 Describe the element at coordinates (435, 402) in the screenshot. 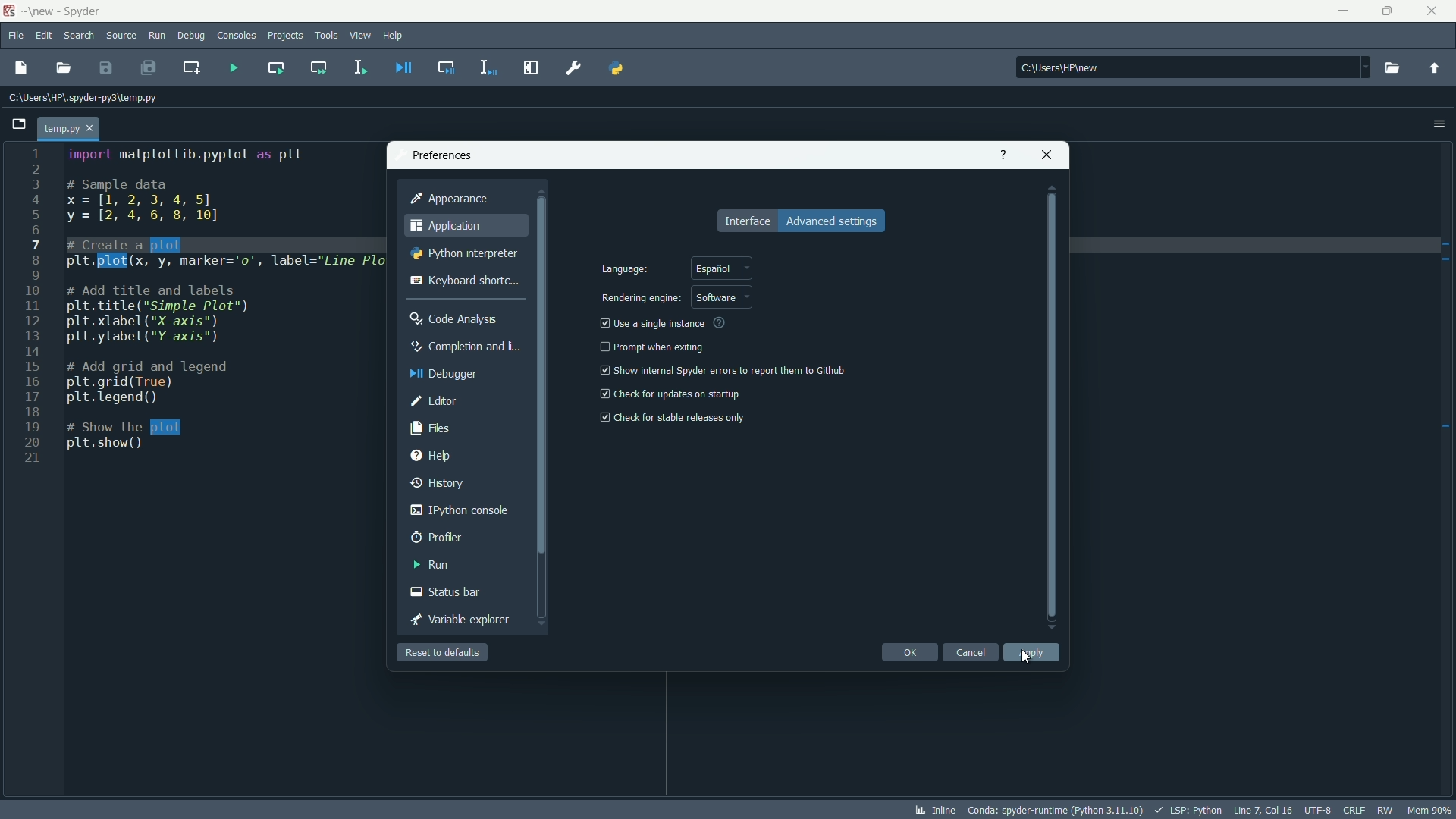

I see `editor` at that location.